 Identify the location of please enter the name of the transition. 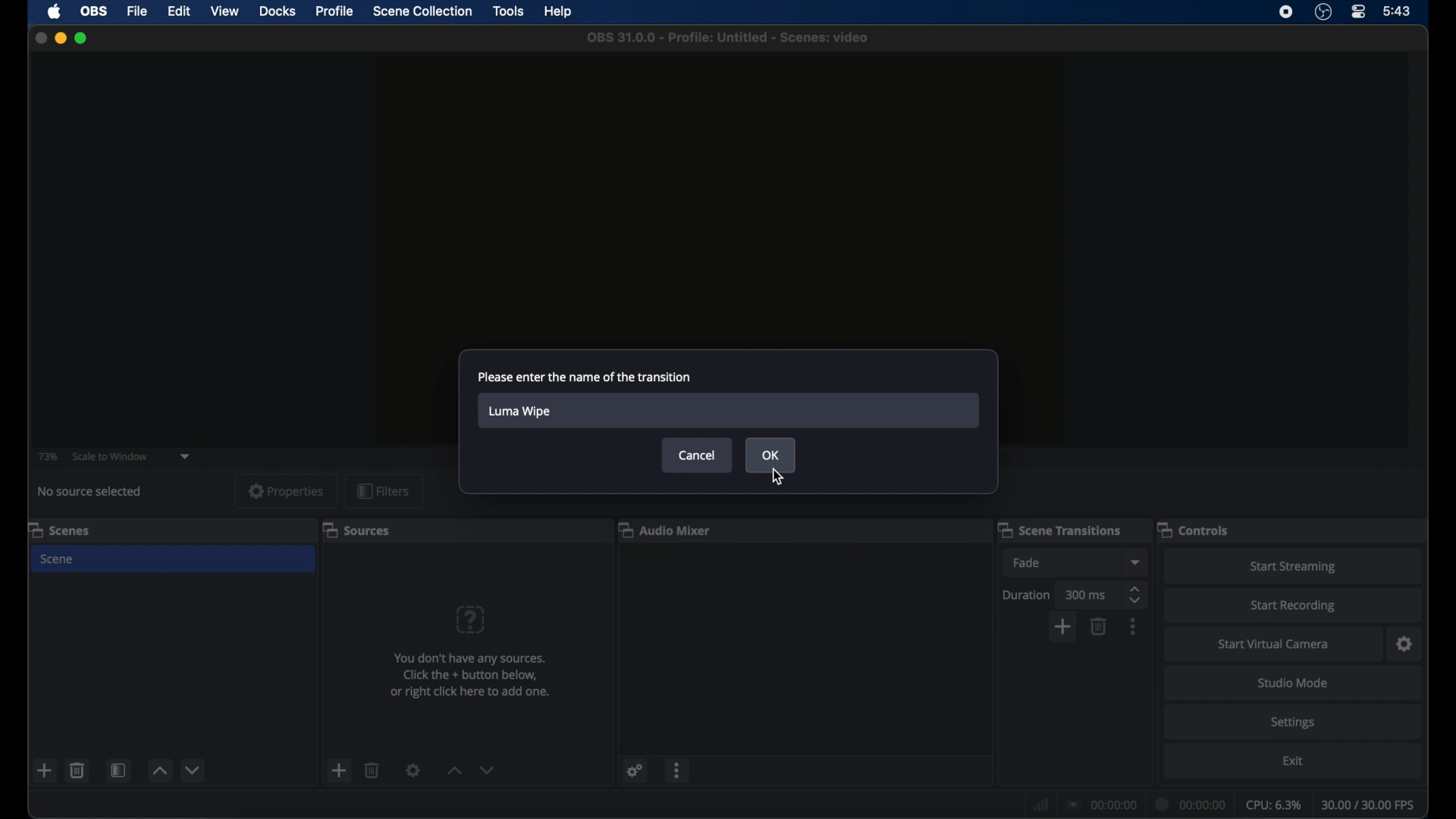
(583, 377).